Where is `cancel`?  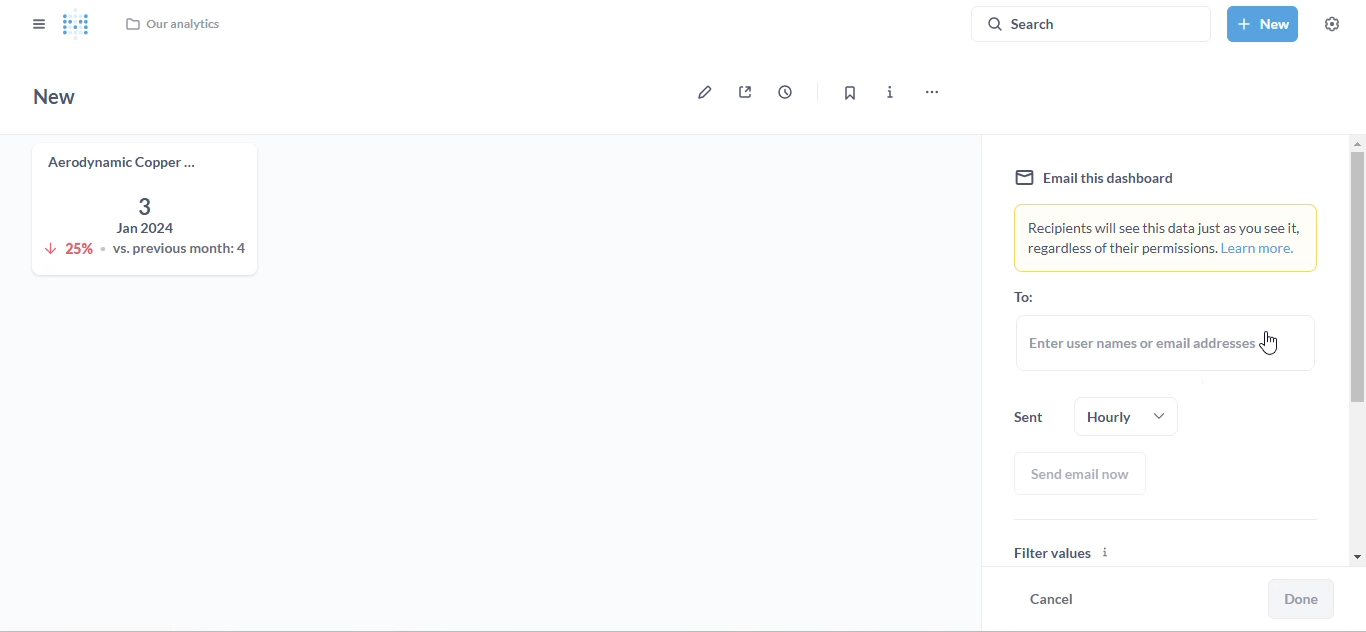 cancel is located at coordinates (1052, 598).